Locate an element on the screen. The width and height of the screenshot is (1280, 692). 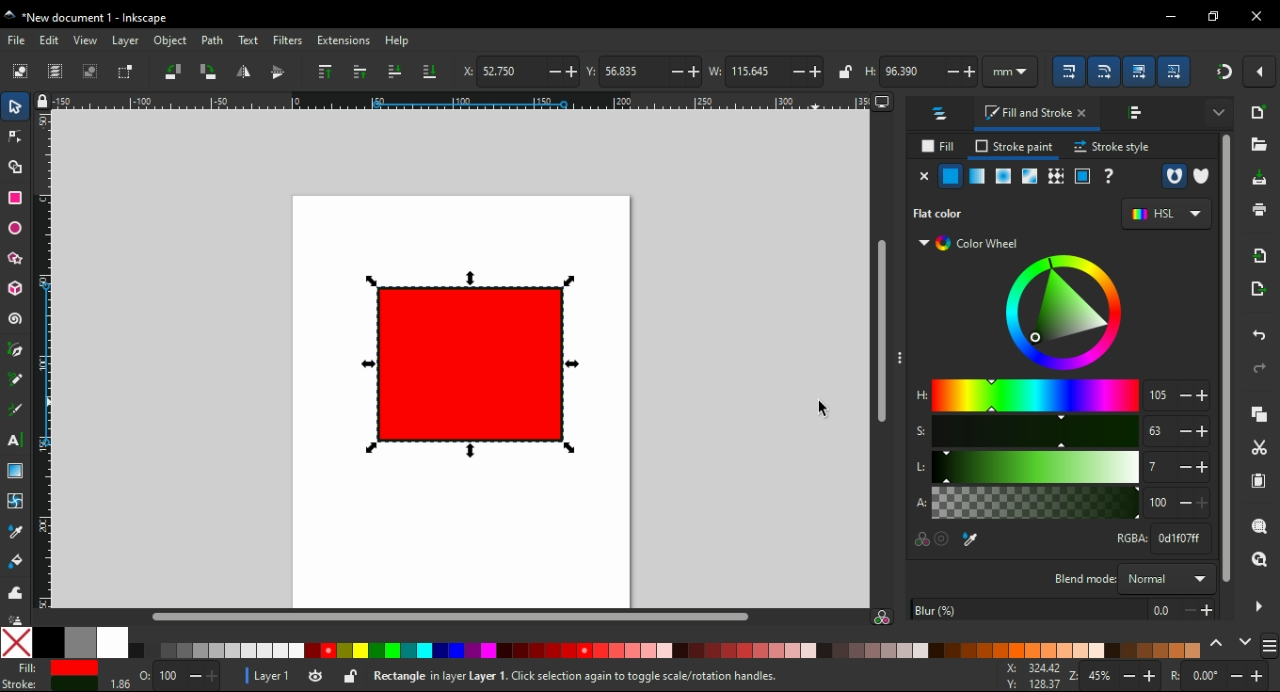
save is located at coordinates (1256, 179).